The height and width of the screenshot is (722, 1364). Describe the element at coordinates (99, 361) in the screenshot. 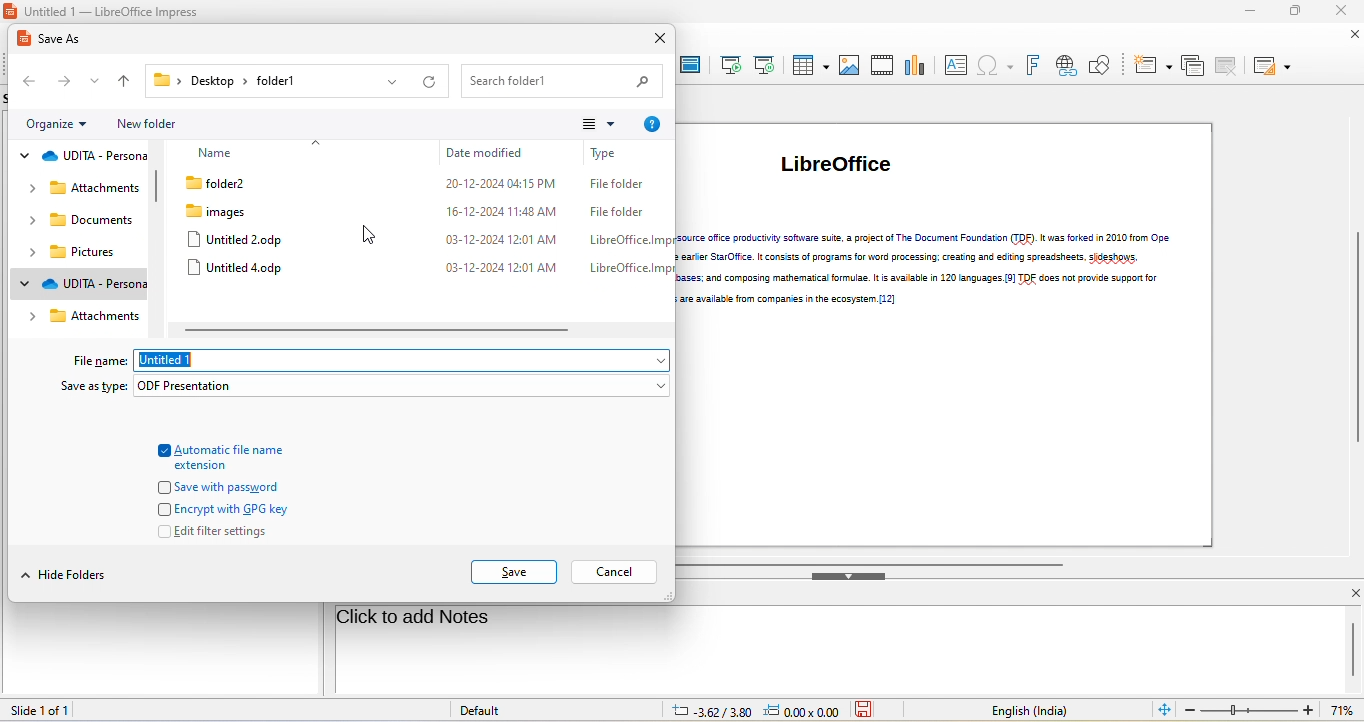

I see `file name` at that location.